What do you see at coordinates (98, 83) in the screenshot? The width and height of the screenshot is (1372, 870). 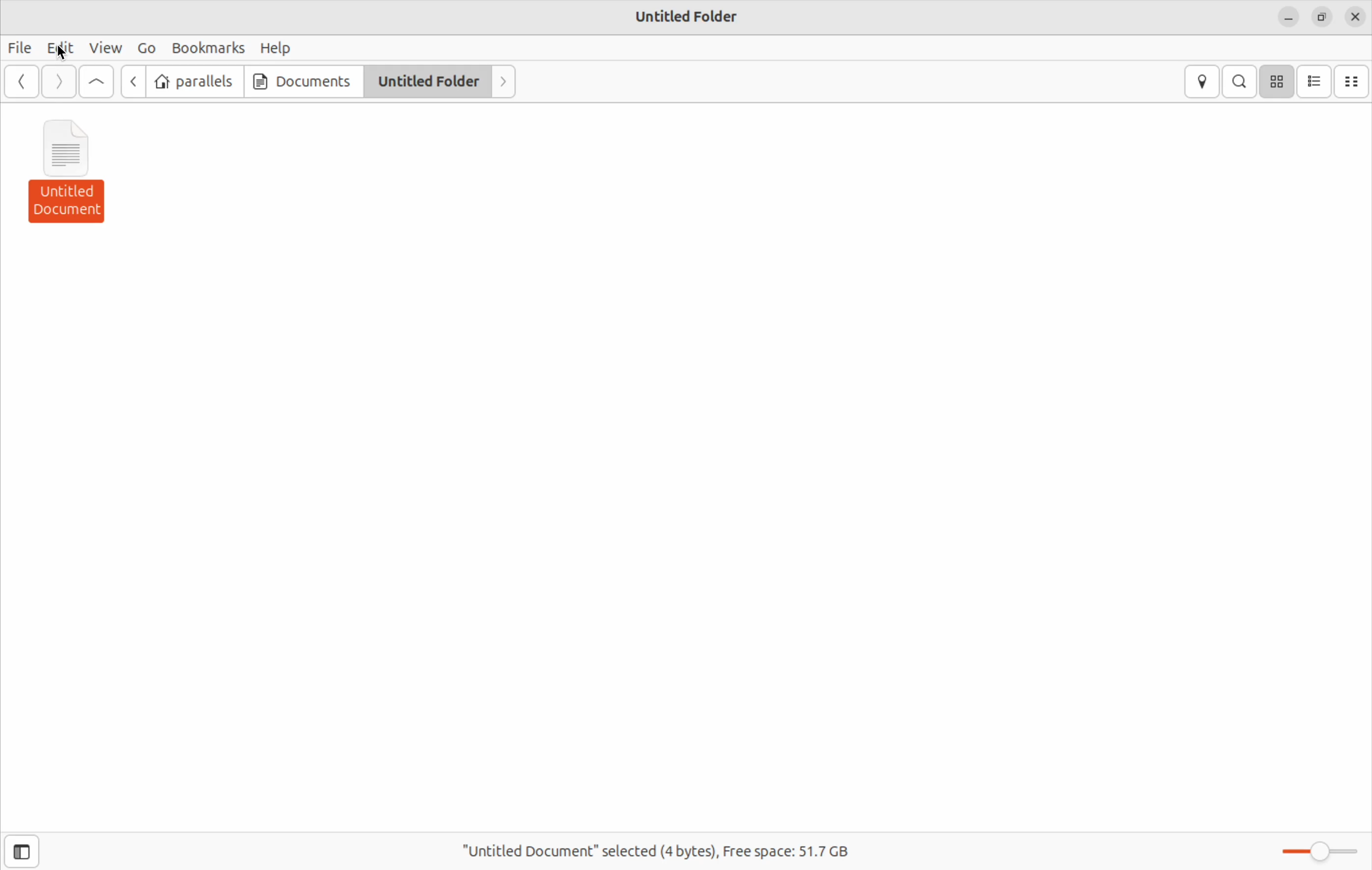 I see `Go up` at bounding box center [98, 83].